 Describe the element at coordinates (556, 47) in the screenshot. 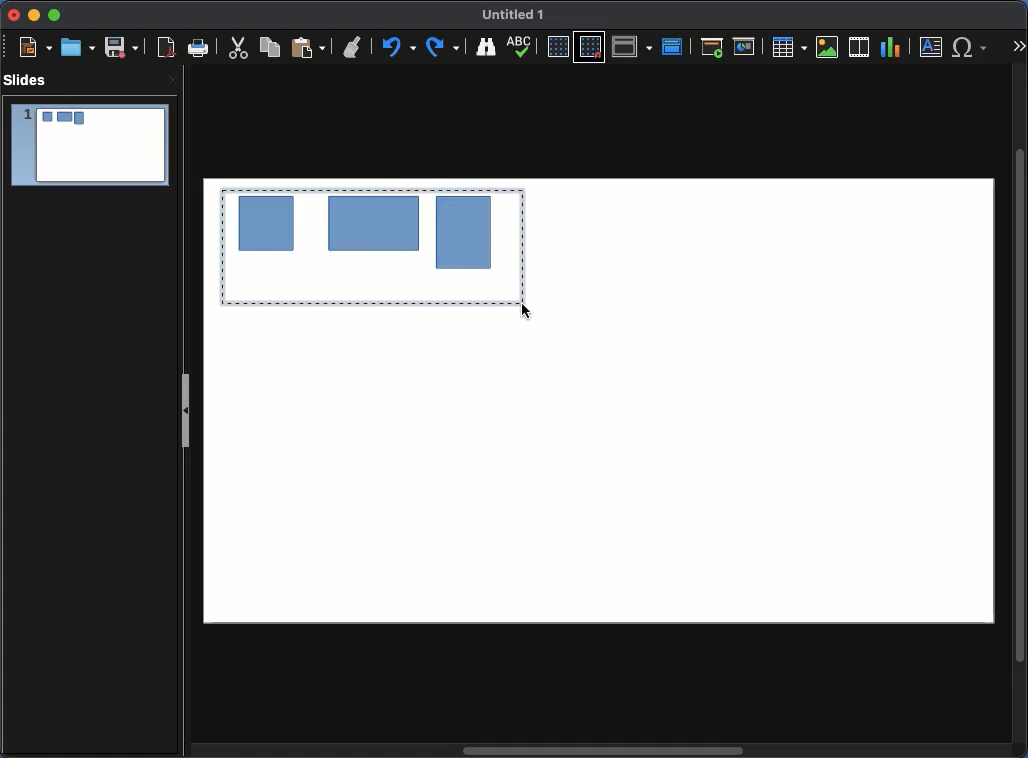

I see `Display grid` at that location.